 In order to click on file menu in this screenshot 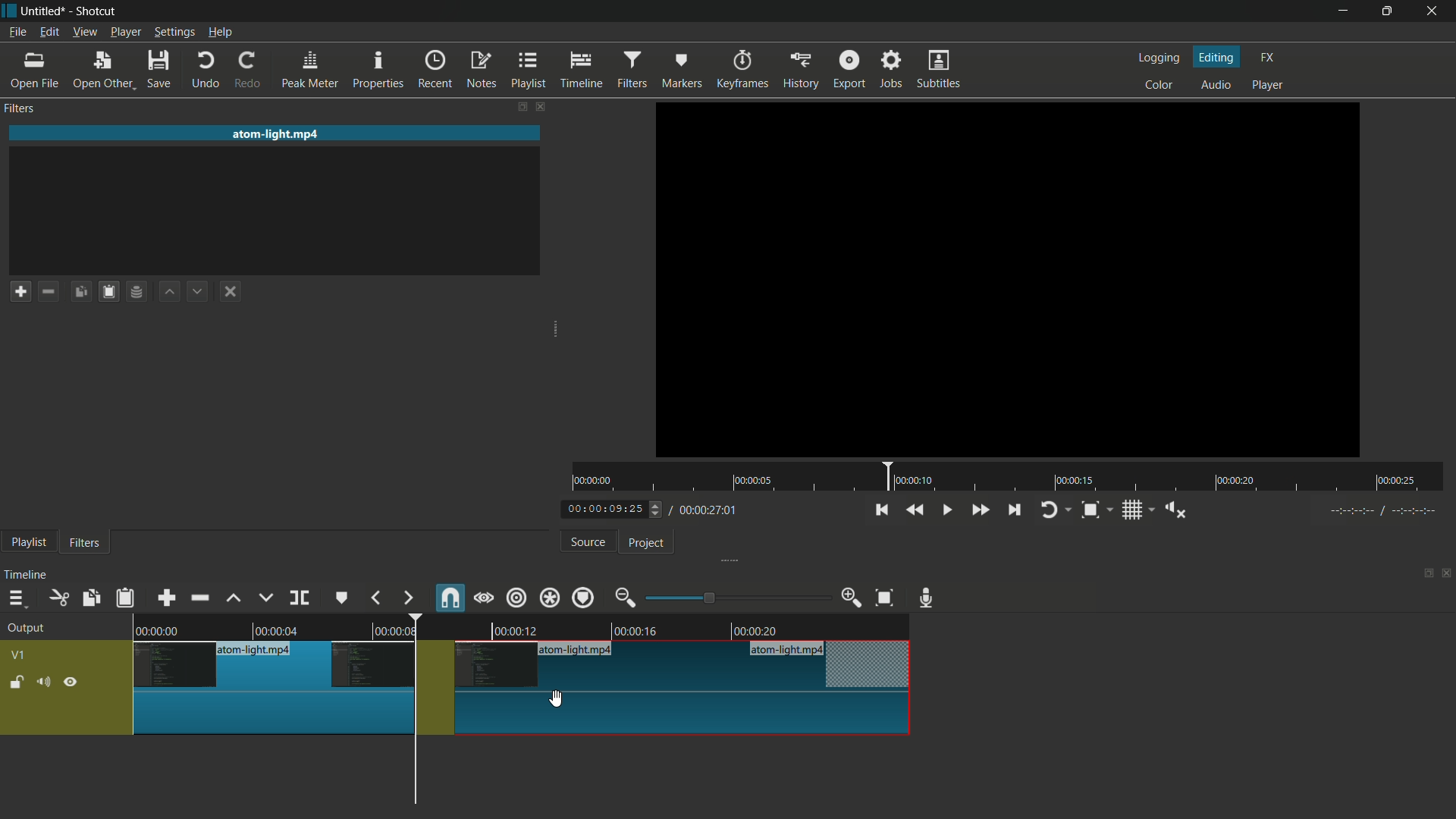, I will do `click(17, 33)`.